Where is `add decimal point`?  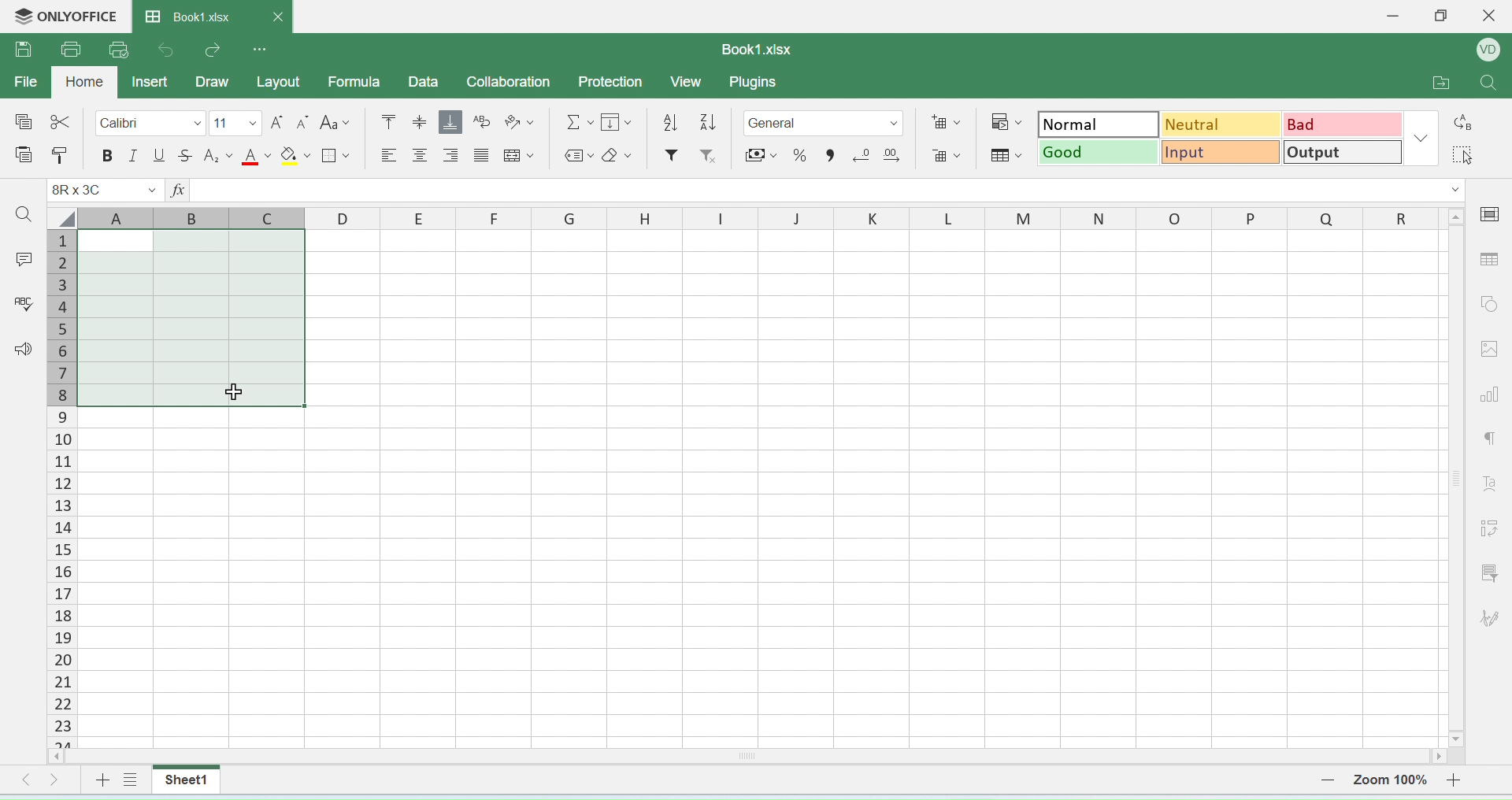
add decimal point is located at coordinates (889, 154).